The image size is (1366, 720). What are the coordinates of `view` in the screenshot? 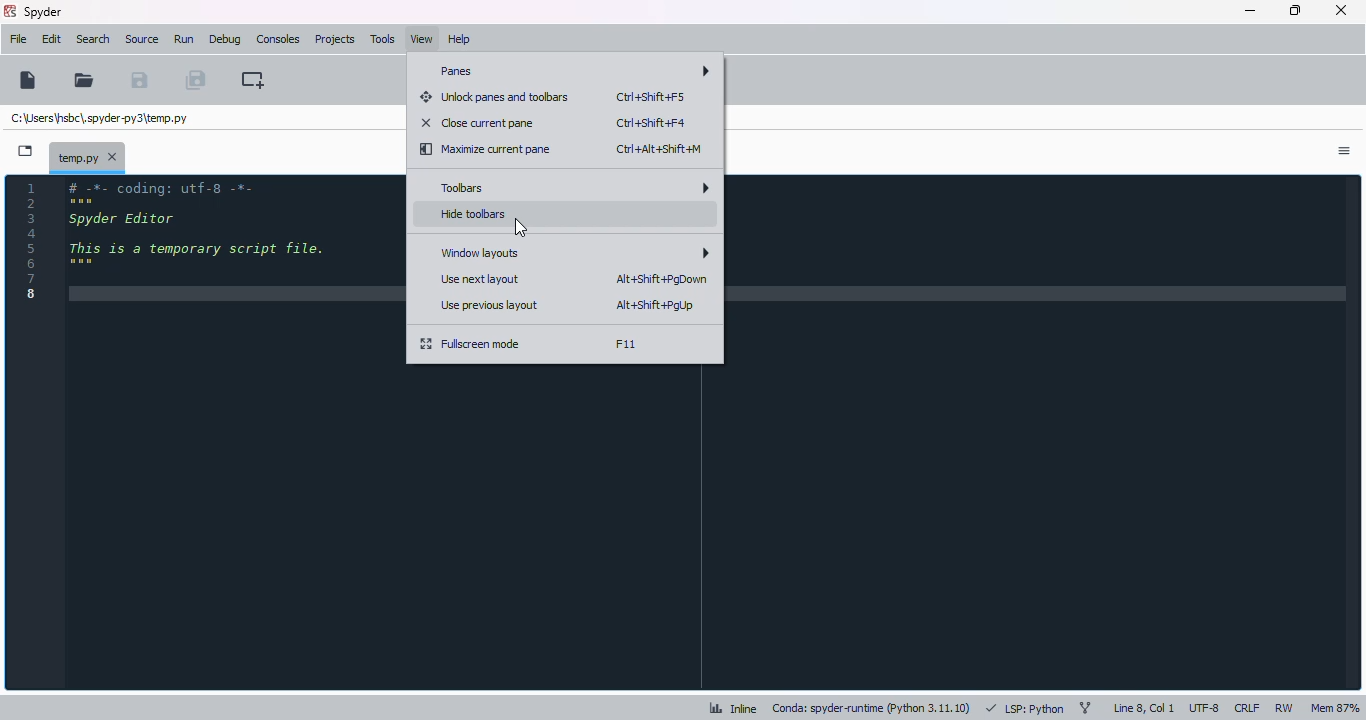 It's located at (420, 39).